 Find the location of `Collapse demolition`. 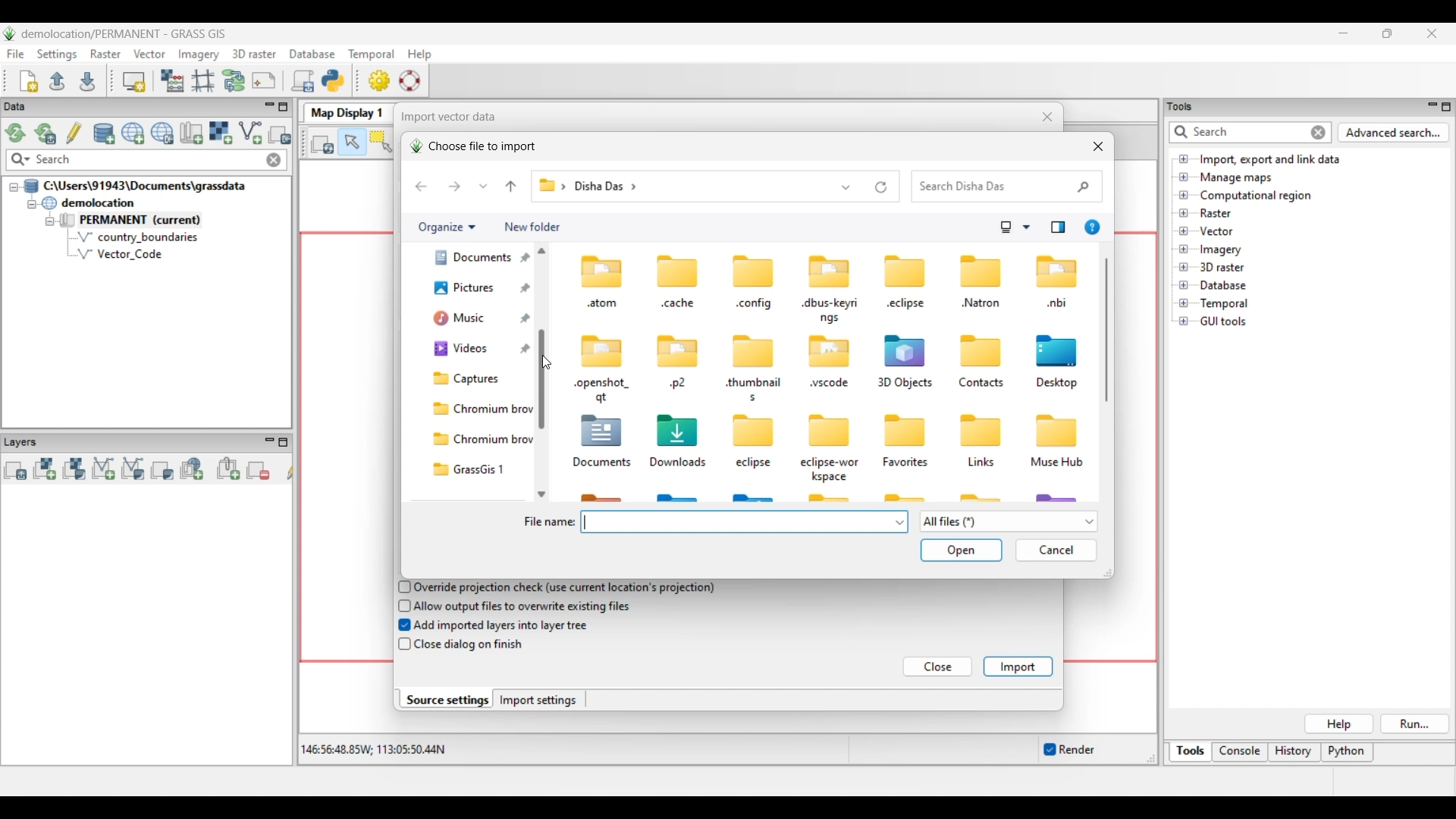

Collapse demolition is located at coordinates (31, 205).